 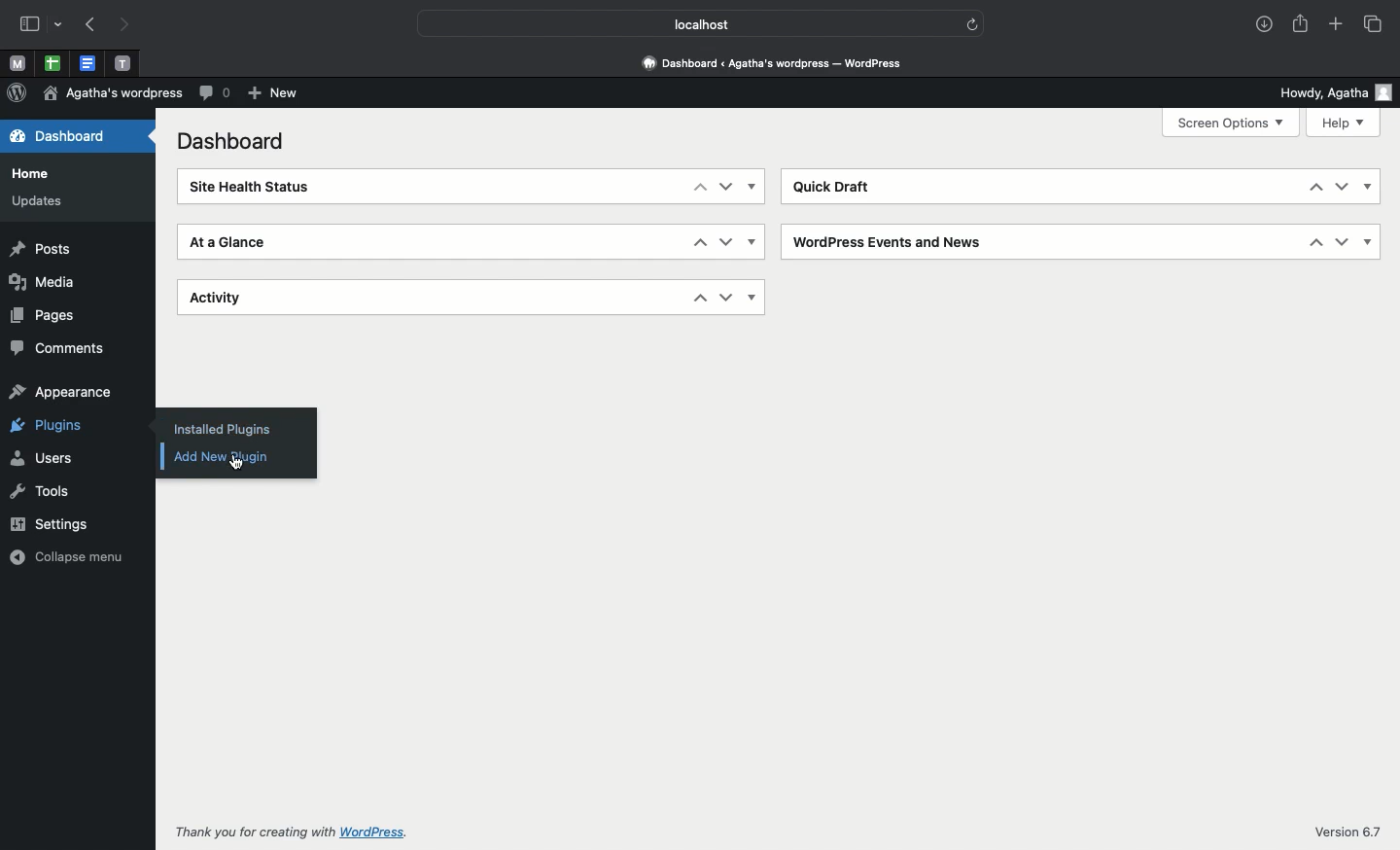 What do you see at coordinates (50, 458) in the screenshot?
I see `Users` at bounding box center [50, 458].